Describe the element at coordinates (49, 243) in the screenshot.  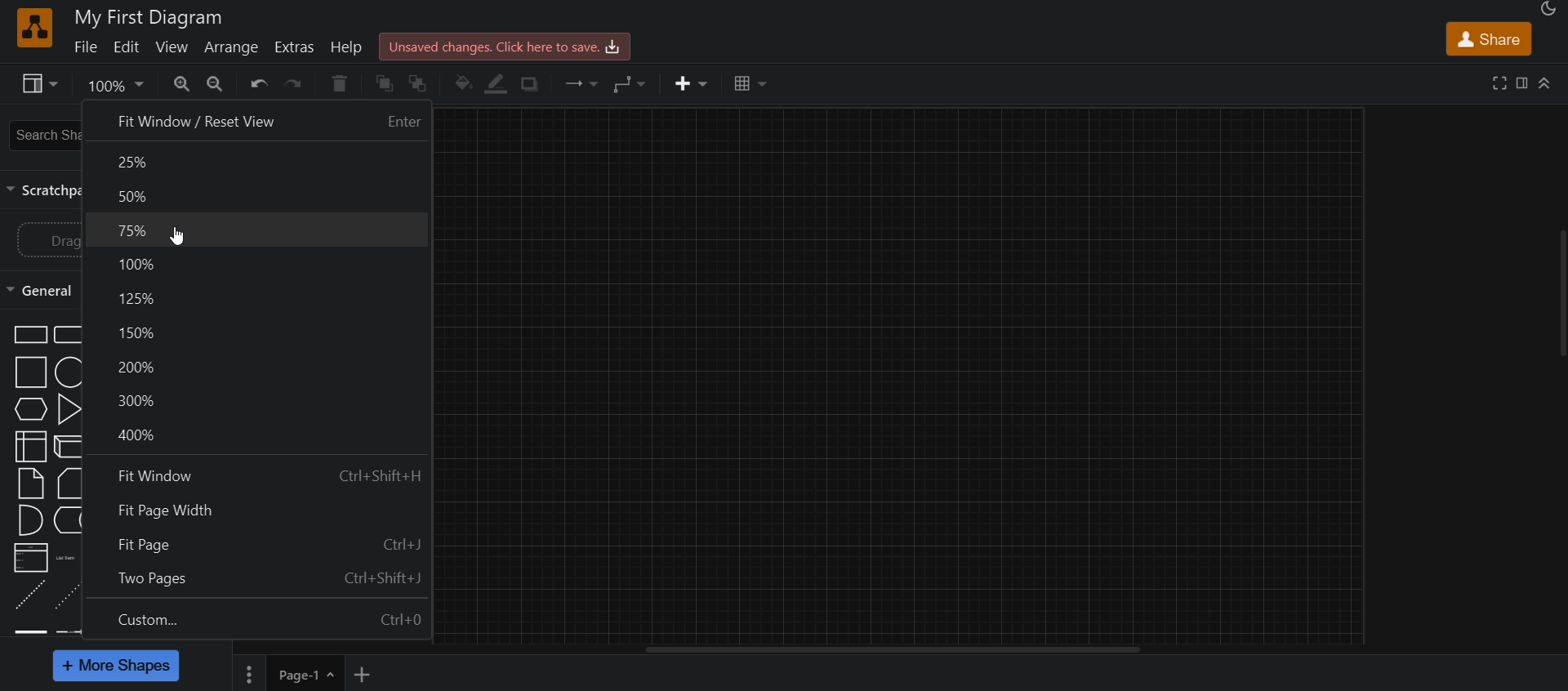
I see `drag elements here` at that location.